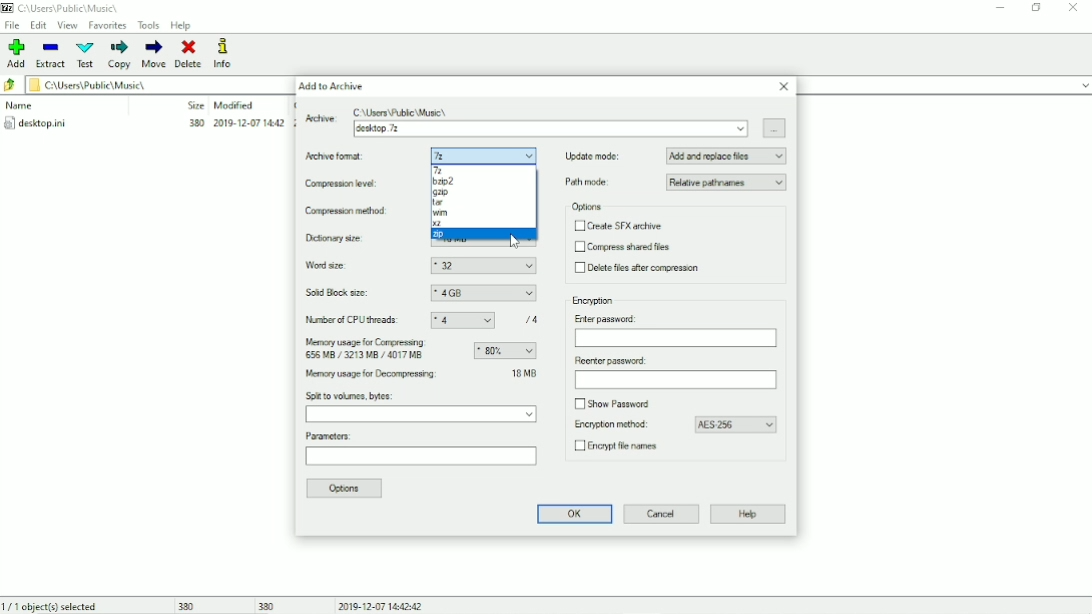 This screenshot has width=1092, height=614. I want to click on 7z, so click(440, 155).